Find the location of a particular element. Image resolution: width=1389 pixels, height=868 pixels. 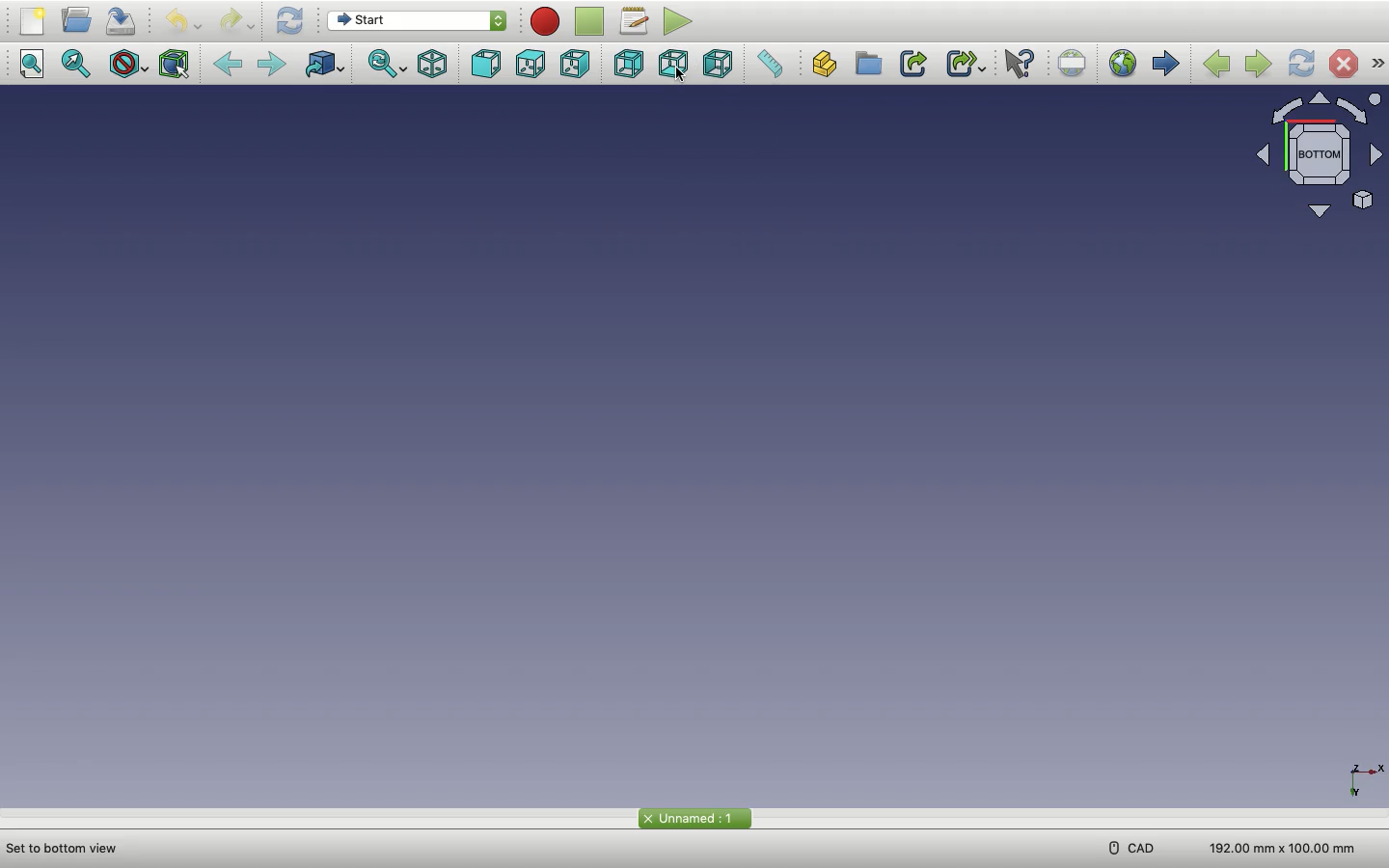

Switch between workbenches is located at coordinates (416, 22).